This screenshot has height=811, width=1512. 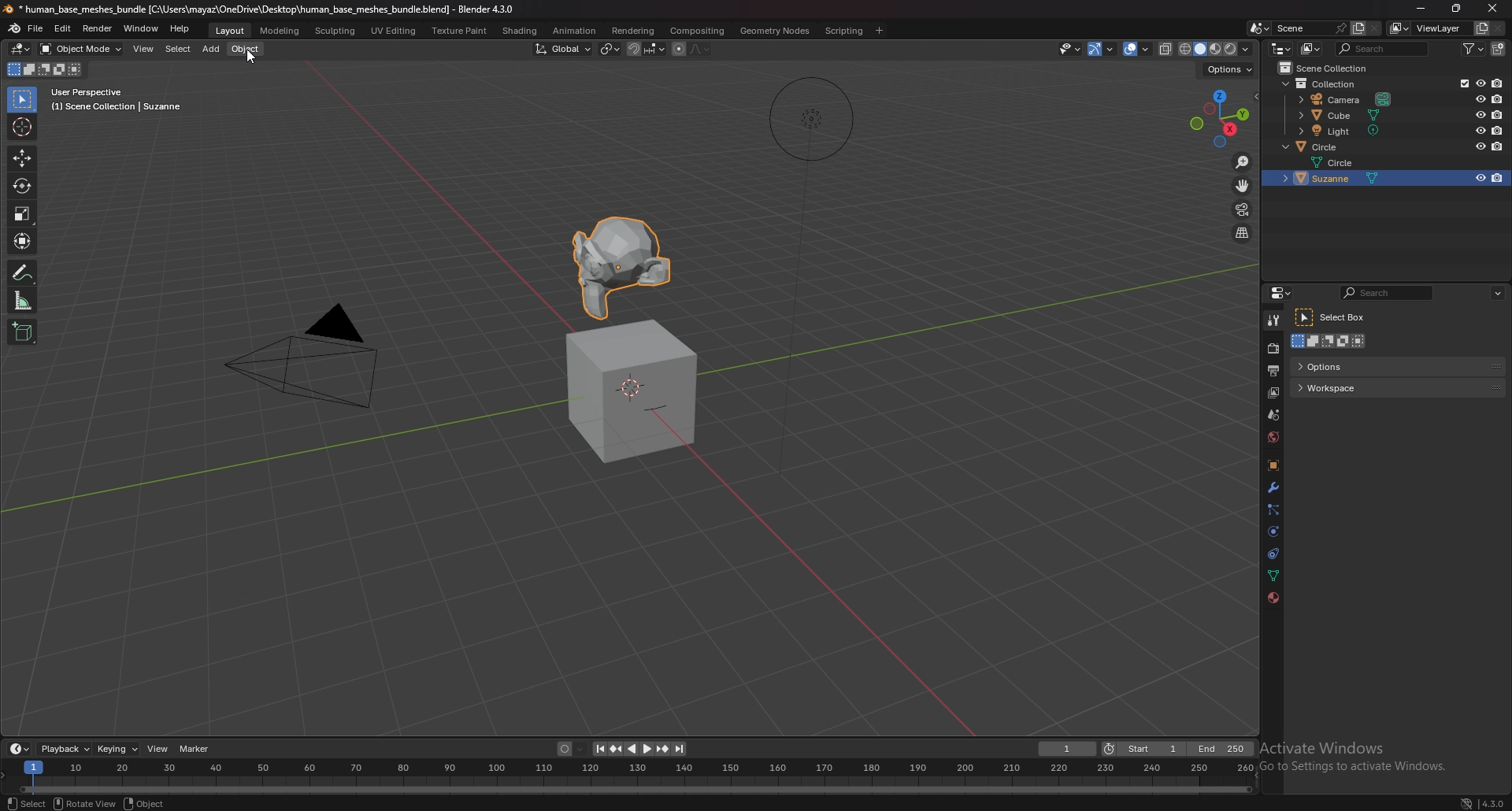 What do you see at coordinates (1496, 113) in the screenshot?
I see `disable in renders` at bounding box center [1496, 113].